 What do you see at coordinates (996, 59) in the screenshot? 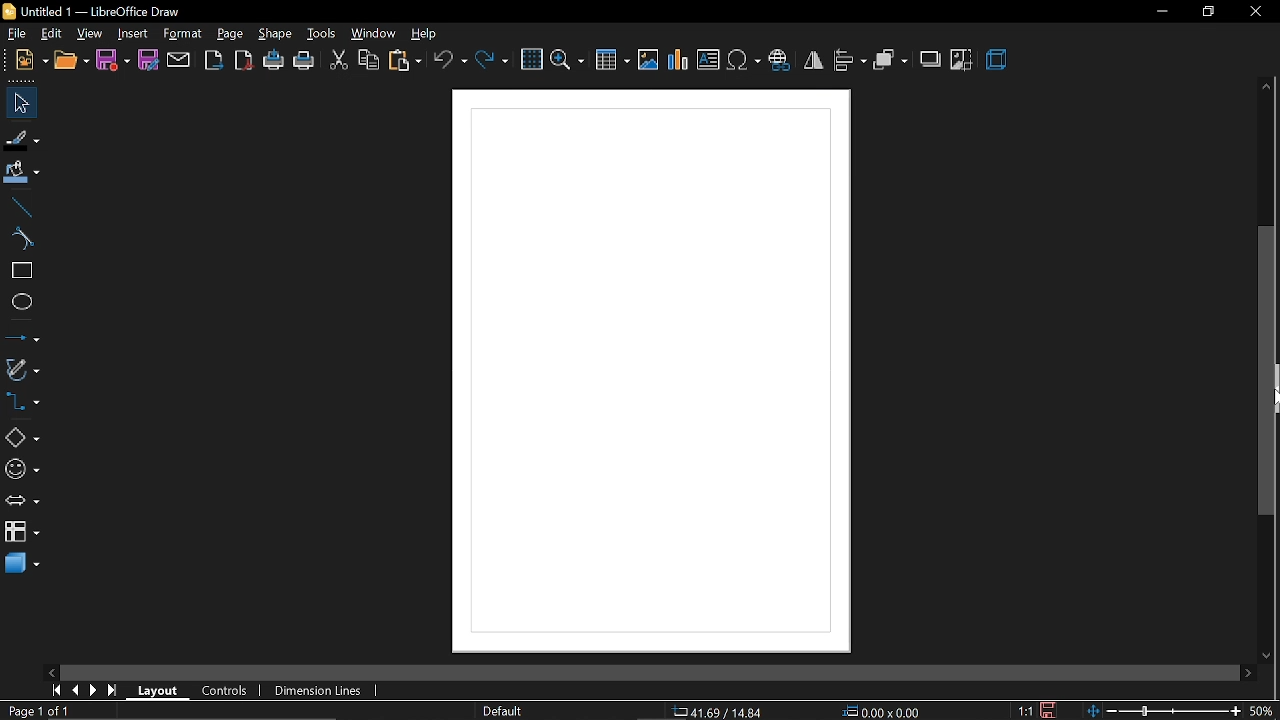
I see `3d effect` at bounding box center [996, 59].